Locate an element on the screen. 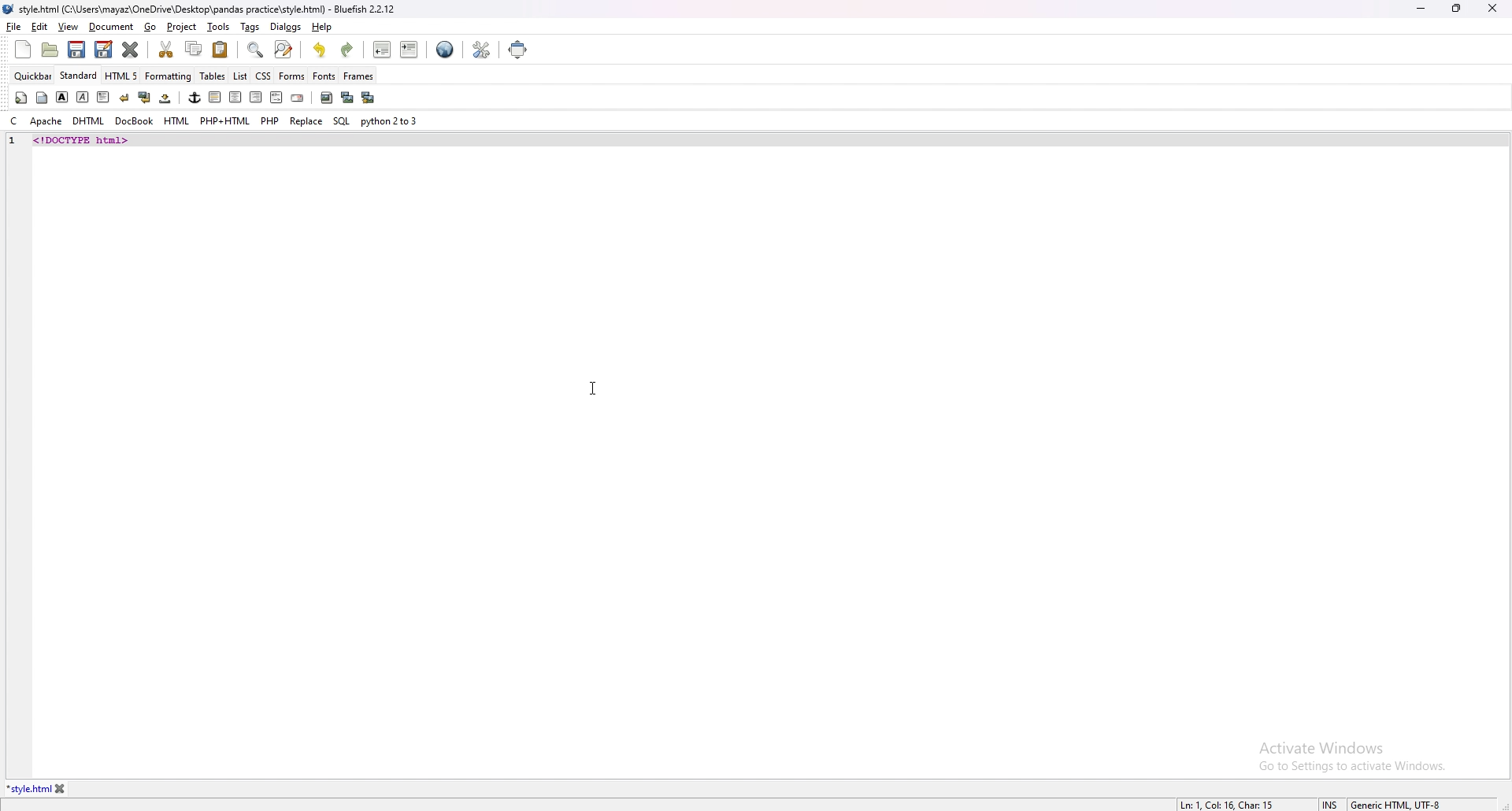  close tab is located at coordinates (61, 789).